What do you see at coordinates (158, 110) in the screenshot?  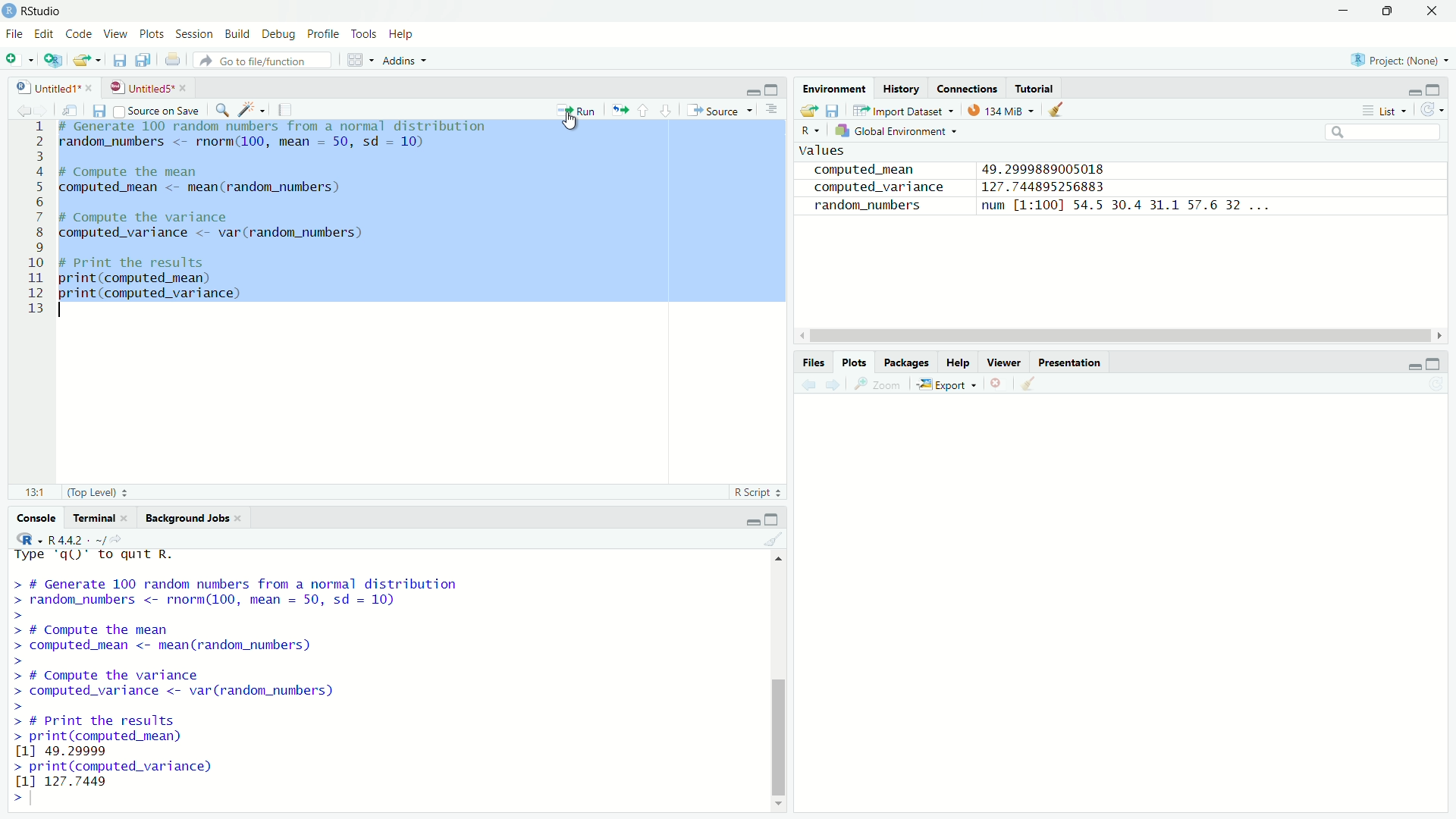 I see `source on save` at bounding box center [158, 110].